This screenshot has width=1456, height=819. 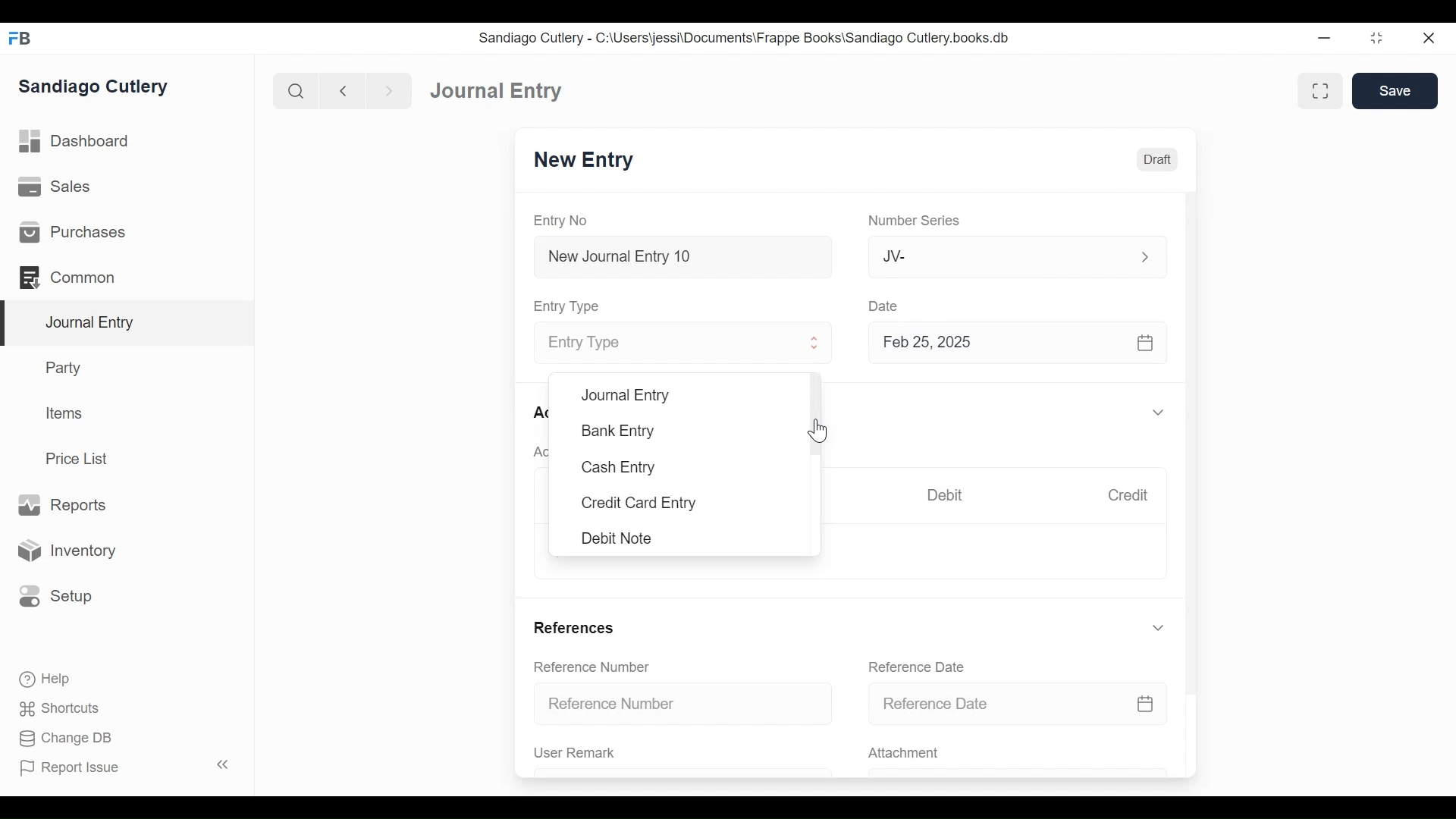 What do you see at coordinates (297, 90) in the screenshot?
I see `Search` at bounding box center [297, 90].